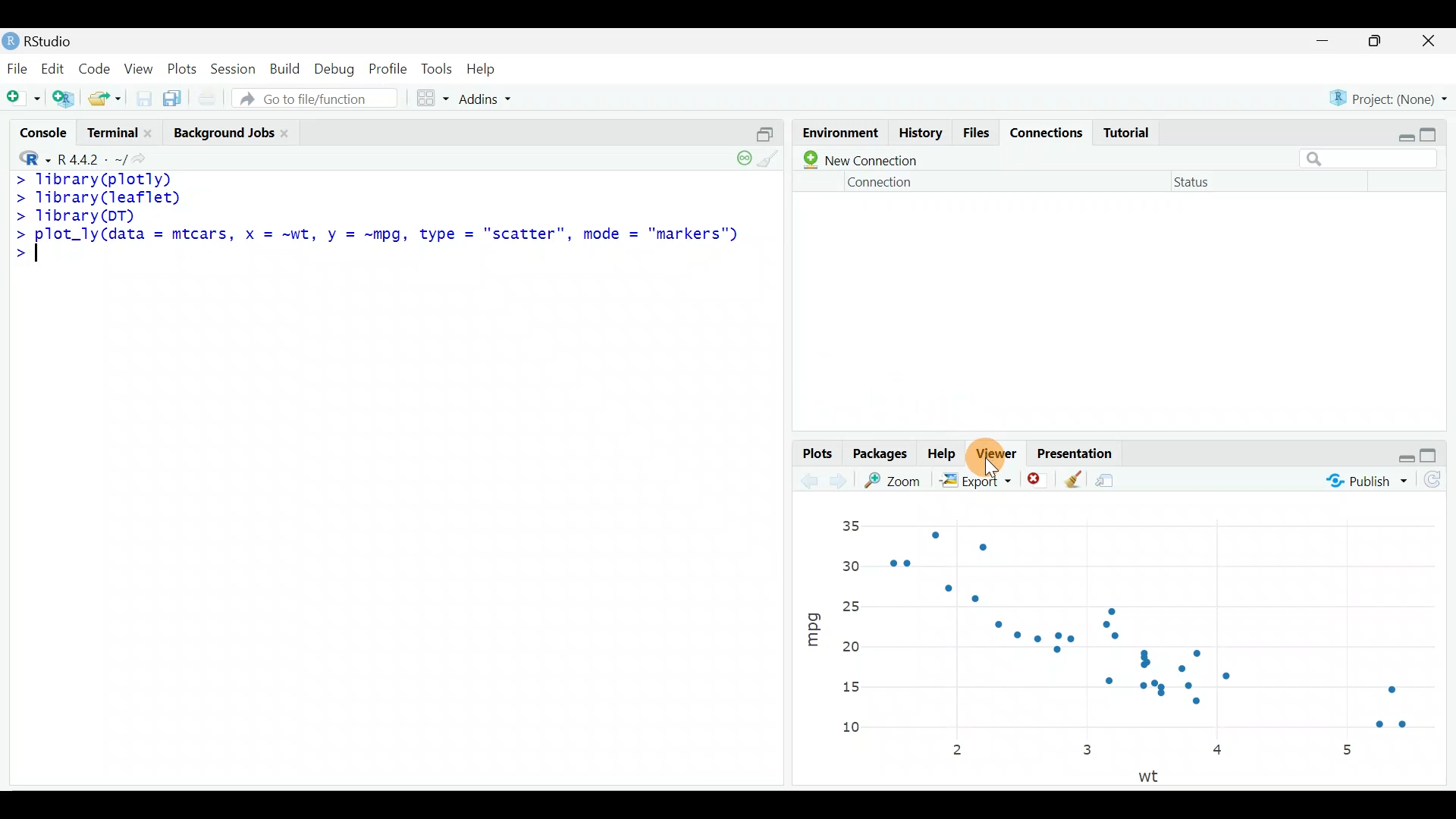  What do you see at coordinates (286, 69) in the screenshot?
I see `Build` at bounding box center [286, 69].